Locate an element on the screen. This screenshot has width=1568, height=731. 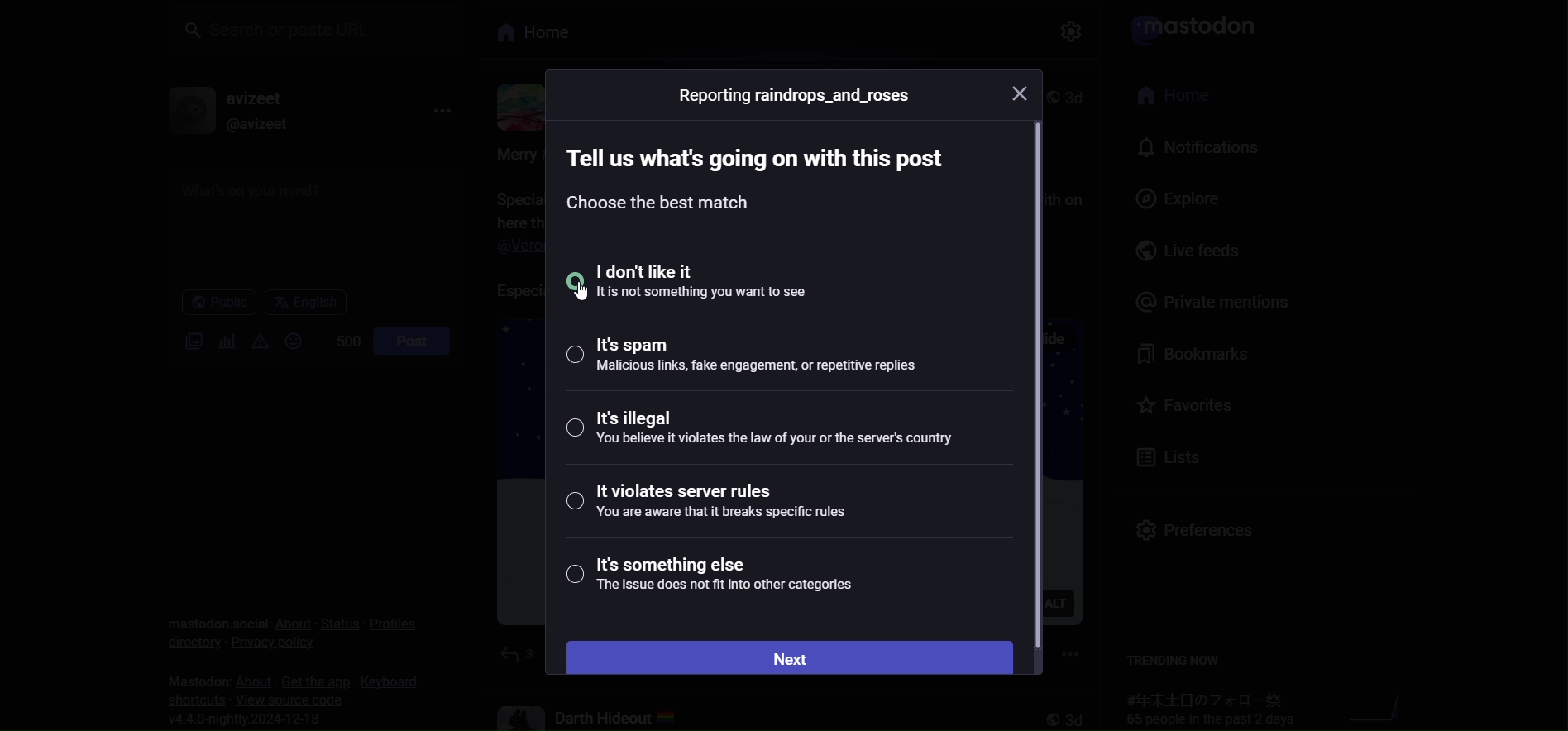
next is located at coordinates (786, 654).